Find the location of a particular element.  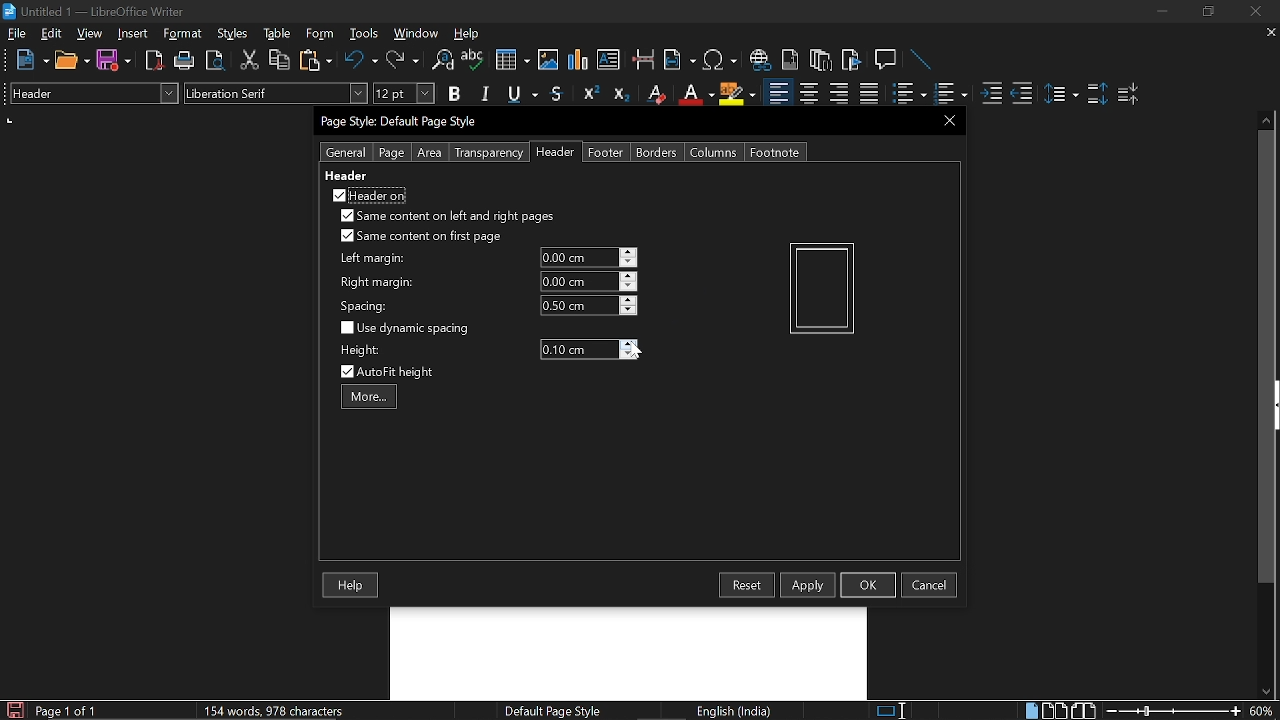

insert diagram is located at coordinates (578, 60).